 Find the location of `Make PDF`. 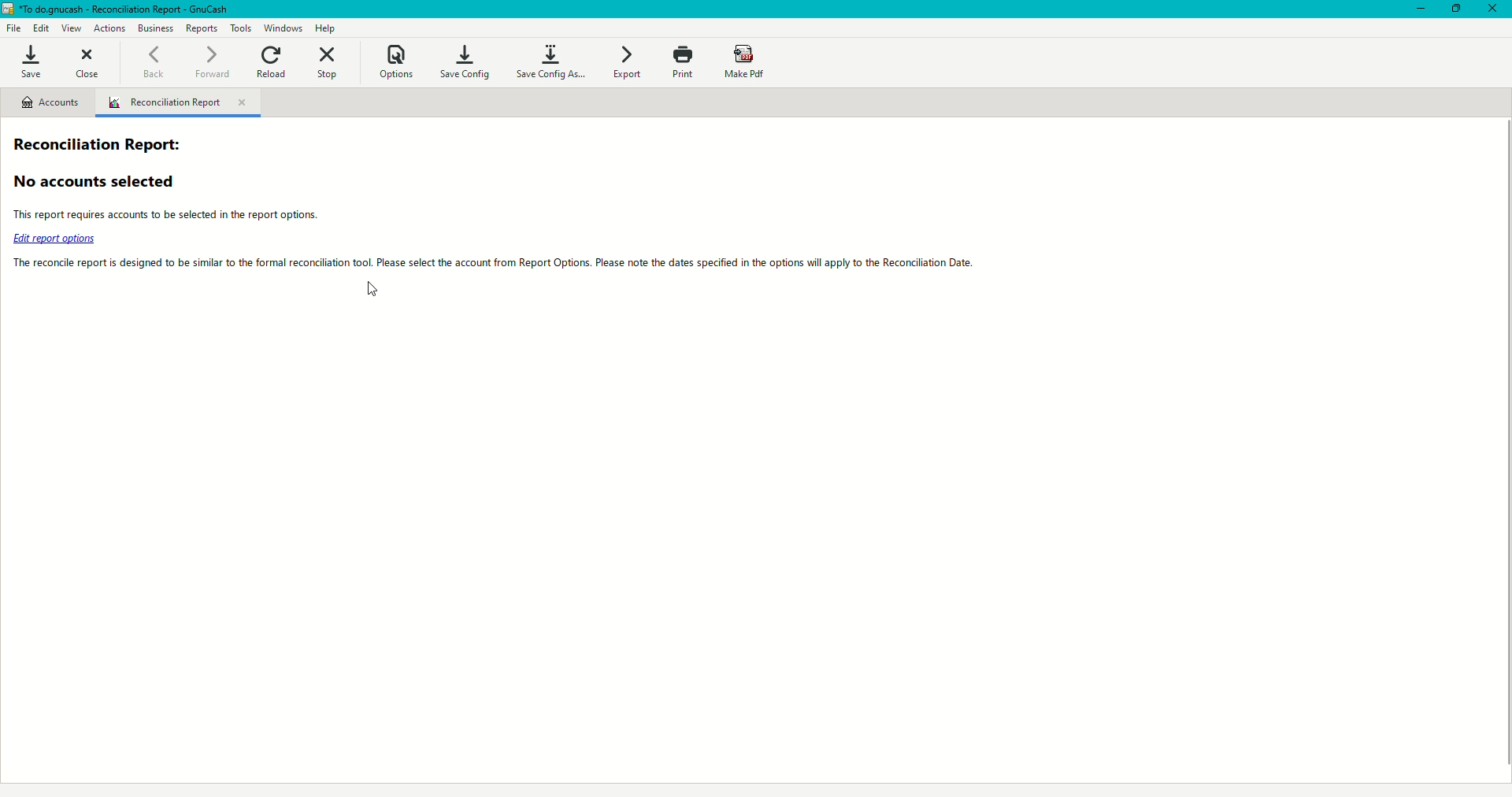

Make PDF is located at coordinates (747, 60).